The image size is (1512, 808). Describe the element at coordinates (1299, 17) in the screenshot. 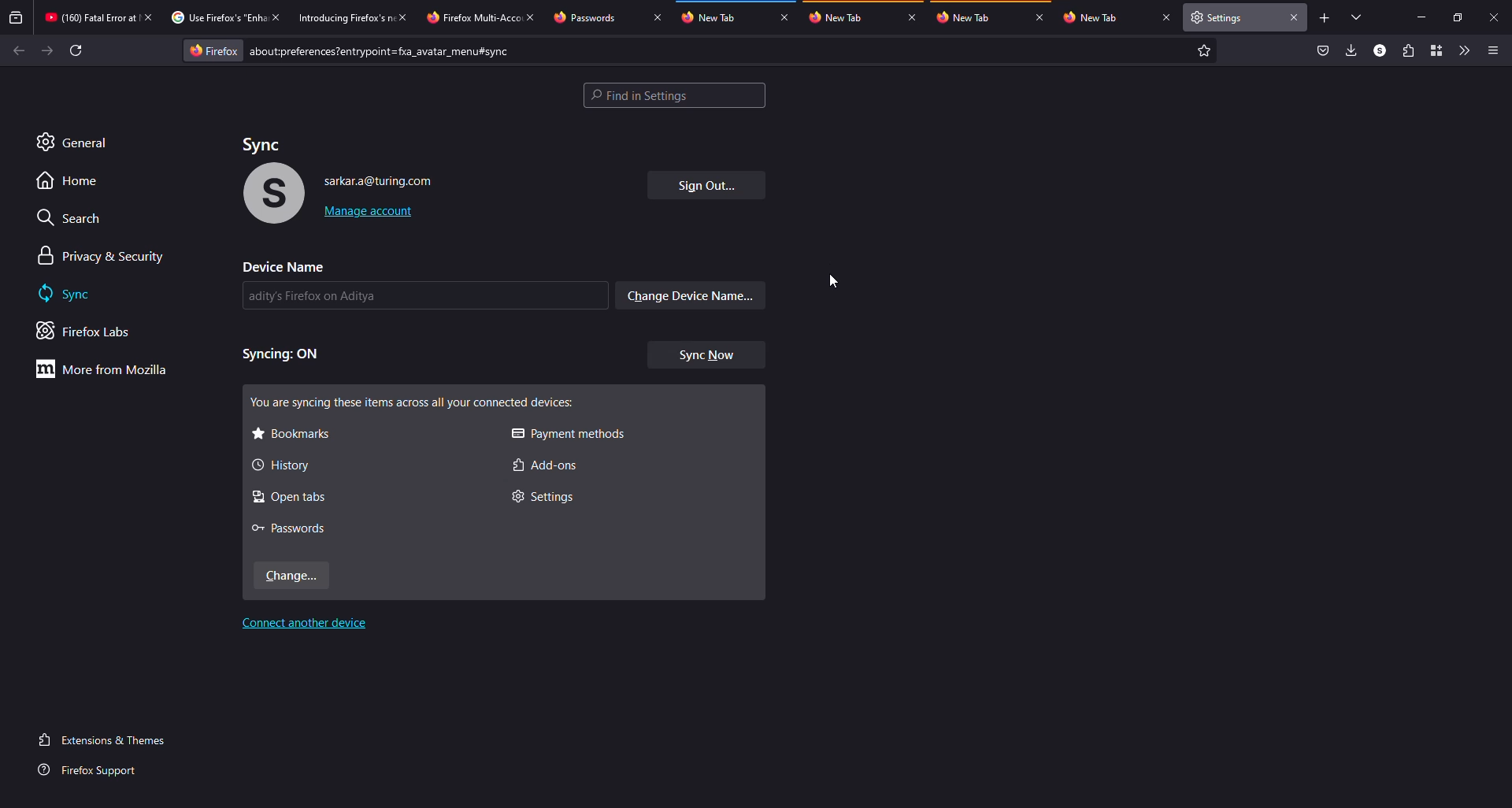

I see `close` at that location.